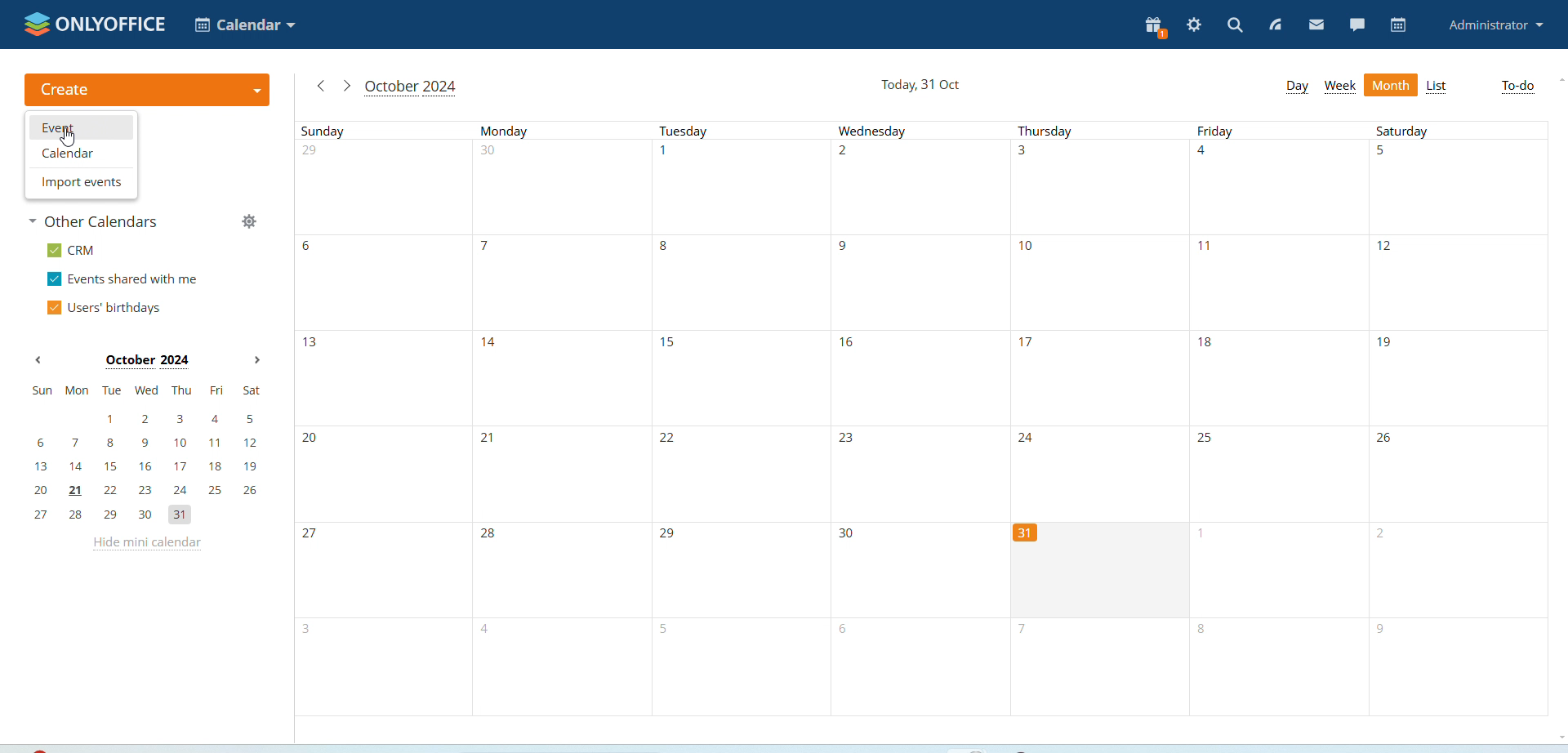 The height and width of the screenshot is (753, 1568). Describe the element at coordinates (1437, 87) in the screenshot. I see `list view` at that location.